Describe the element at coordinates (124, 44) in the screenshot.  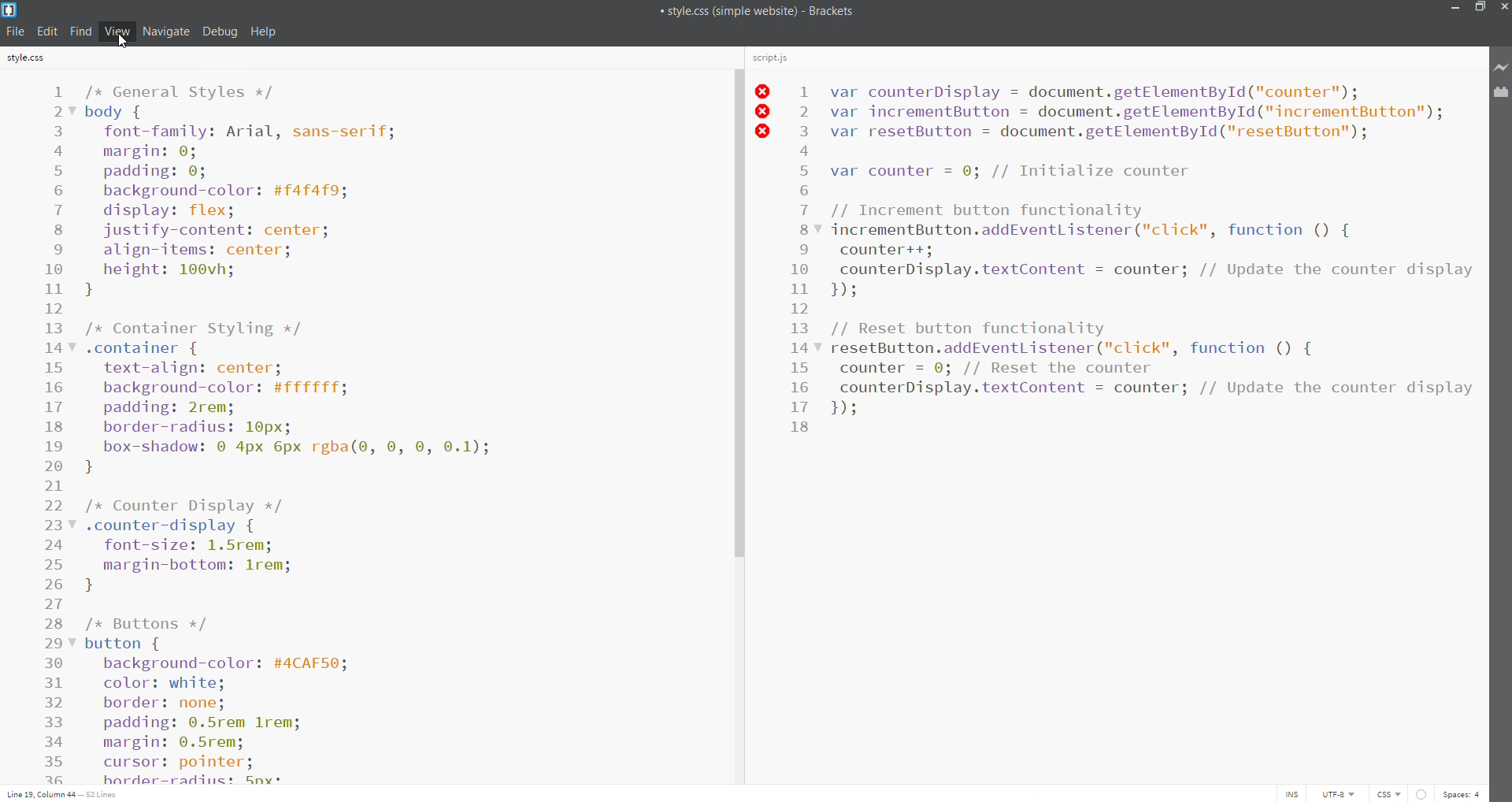
I see `cursor` at that location.